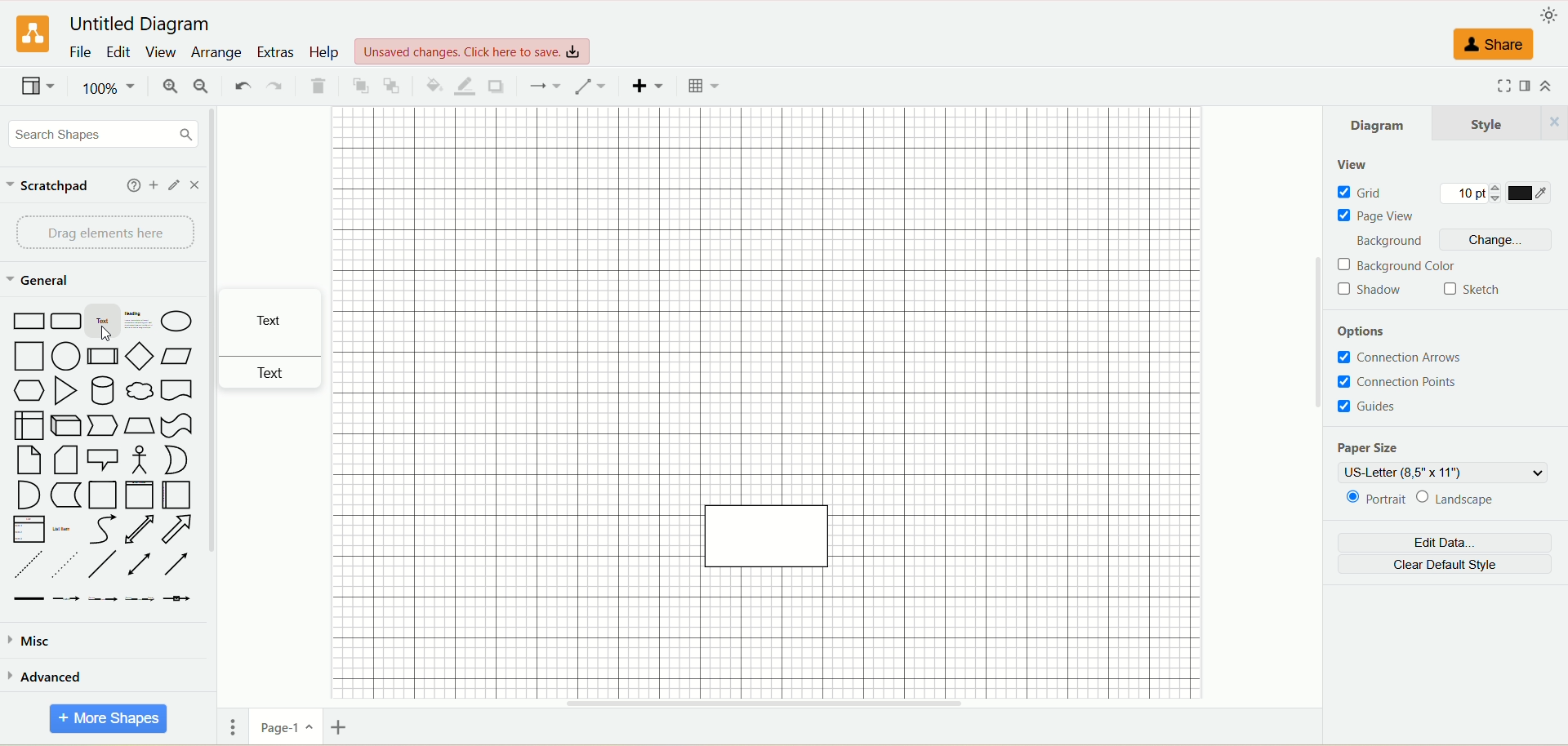  Describe the element at coordinates (433, 84) in the screenshot. I see `fill color` at that location.